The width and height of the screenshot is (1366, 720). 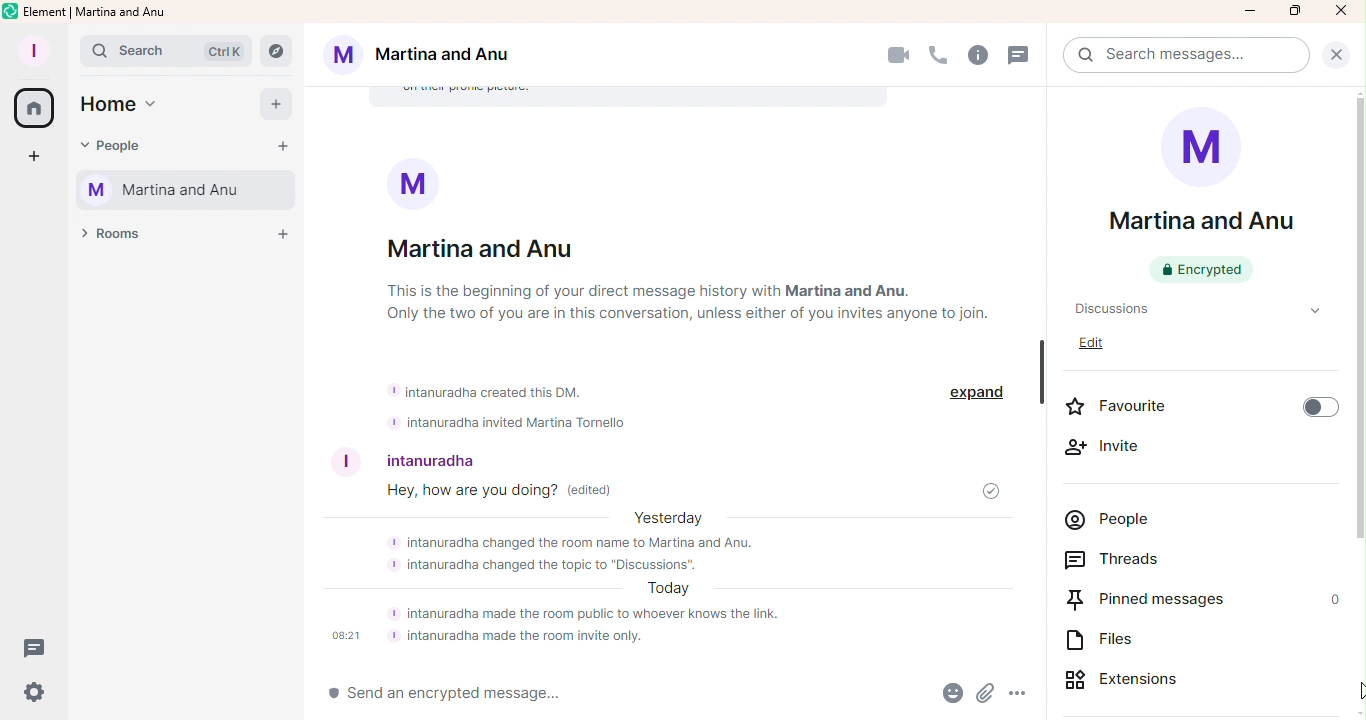 What do you see at coordinates (1189, 55) in the screenshot?
I see `Search bar` at bounding box center [1189, 55].